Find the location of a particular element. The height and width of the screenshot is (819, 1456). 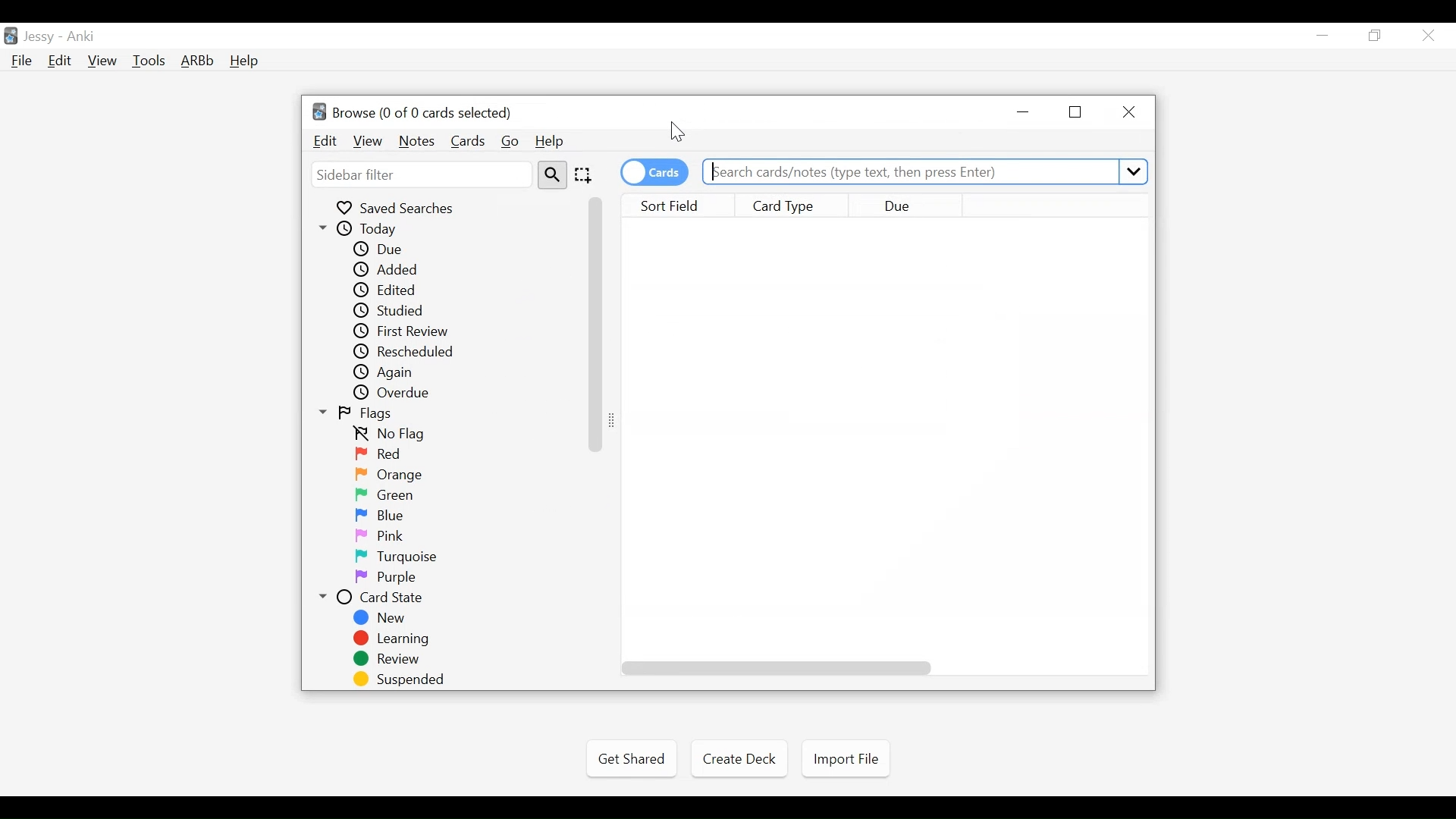

Orange is located at coordinates (388, 475).